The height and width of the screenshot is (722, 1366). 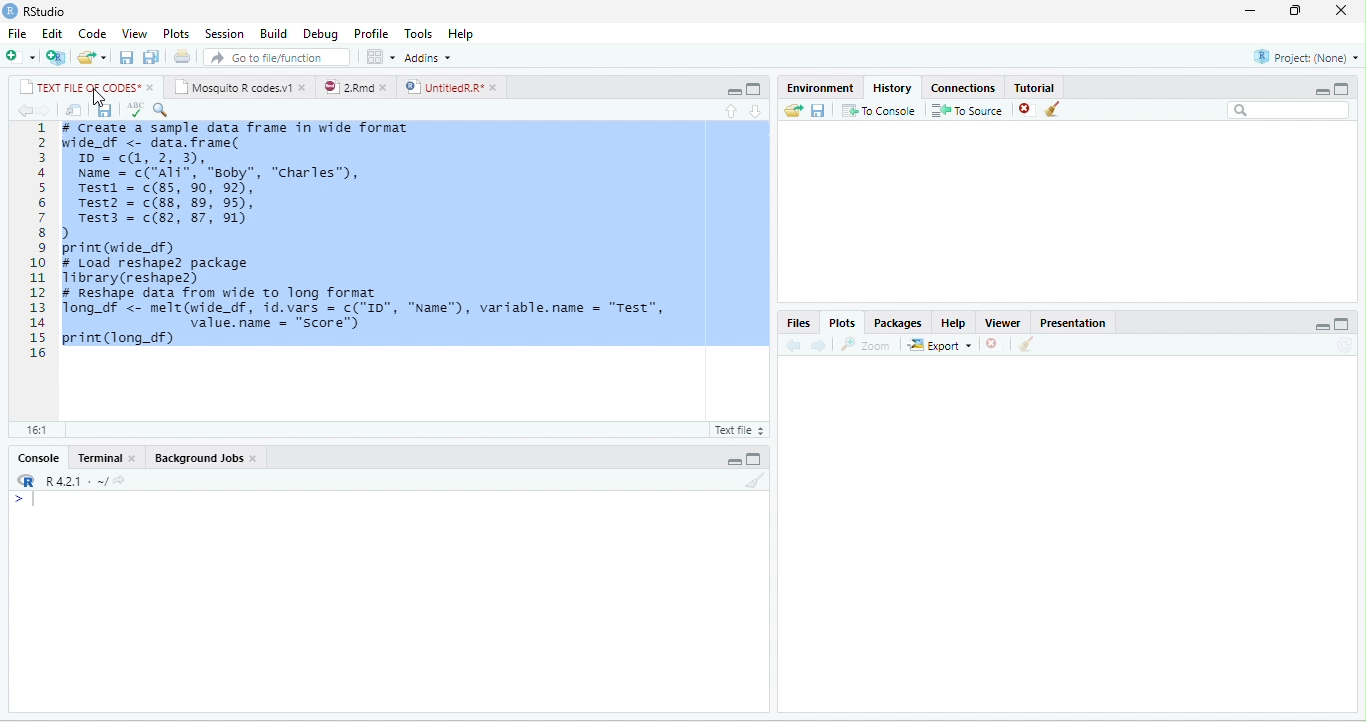 I want to click on Help, so click(x=460, y=34).